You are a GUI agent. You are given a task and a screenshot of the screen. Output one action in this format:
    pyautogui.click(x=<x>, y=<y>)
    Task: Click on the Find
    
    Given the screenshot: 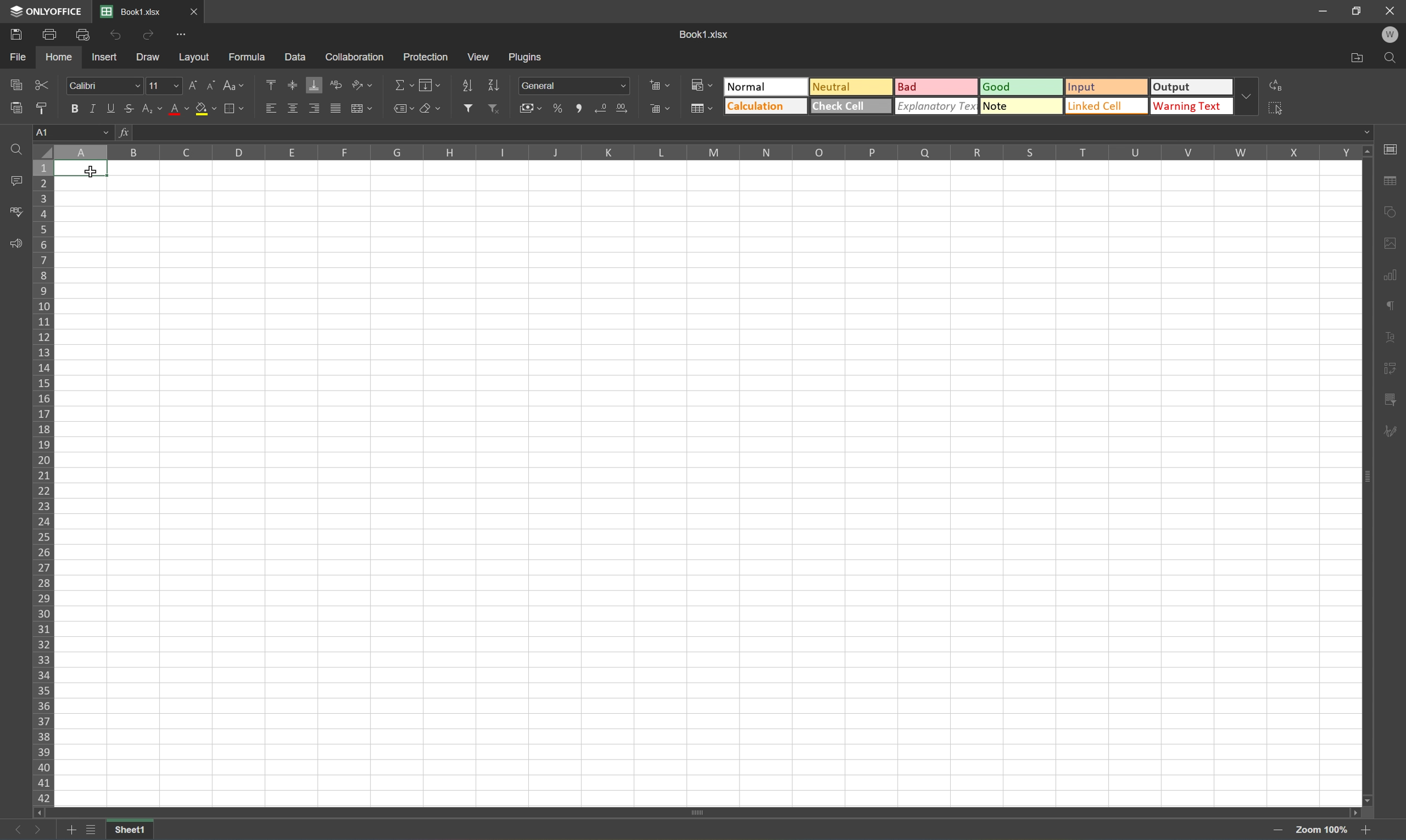 What is the action you would take?
    pyautogui.click(x=16, y=148)
    